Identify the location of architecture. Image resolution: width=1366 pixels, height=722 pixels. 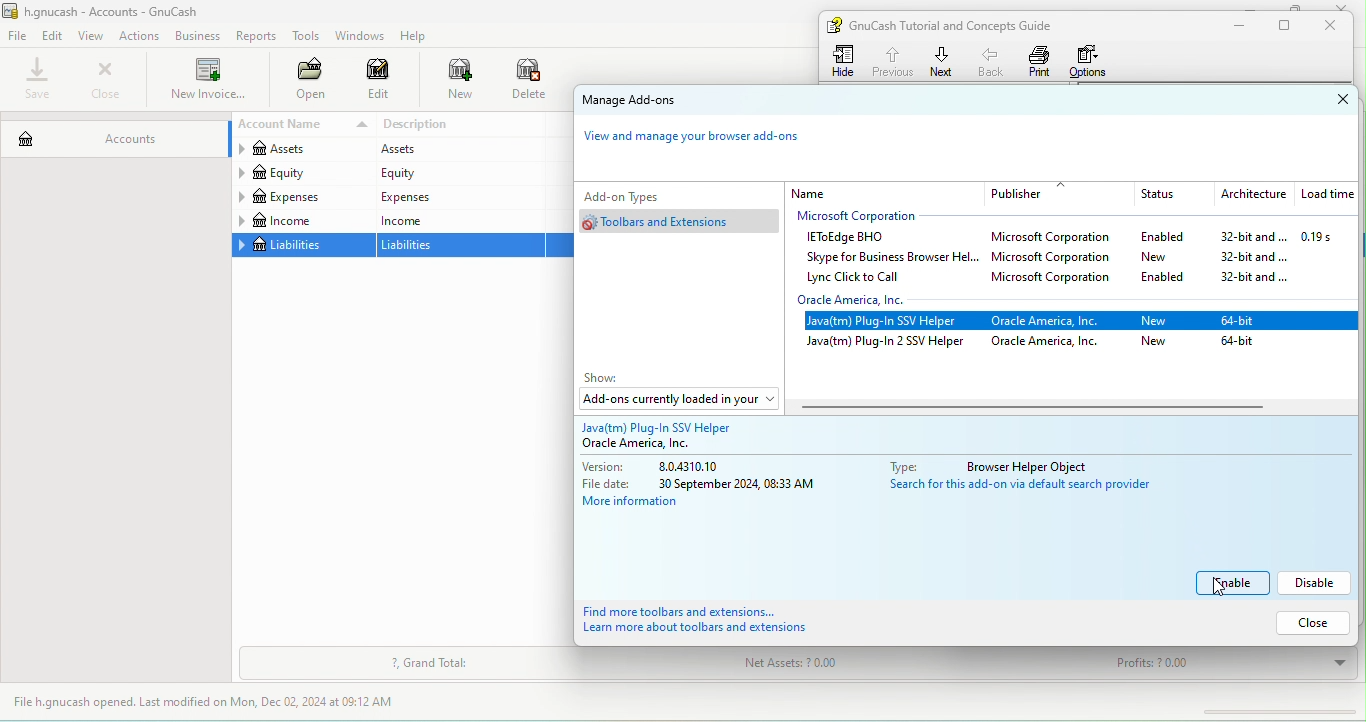
(1251, 195).